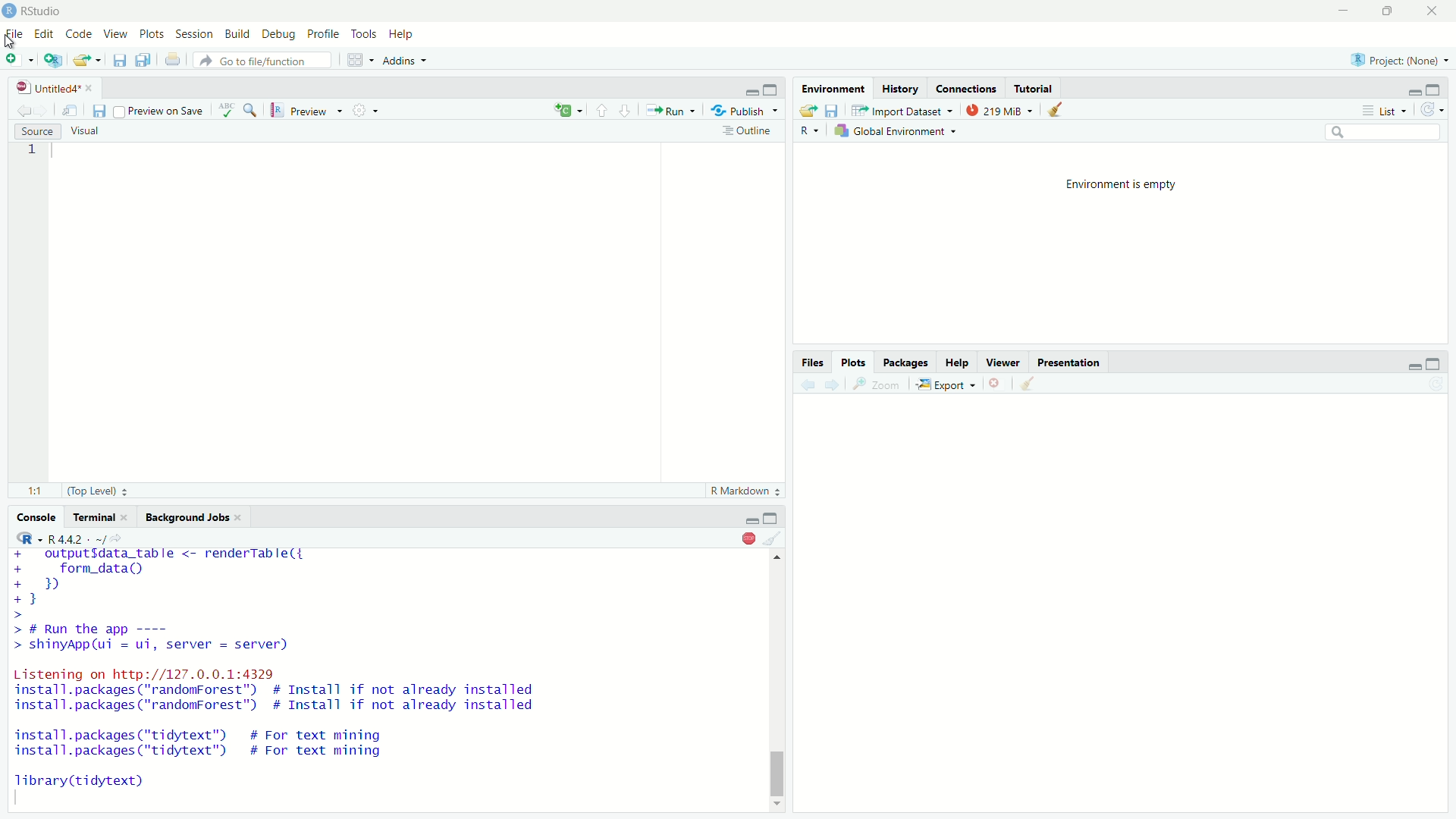 The height and width of the screenshot is (819, 1456). What do you see at coordinates (1431, 108) in the screenshot?
I see `refresh the list of objects` at bounding box center [1431, 108].